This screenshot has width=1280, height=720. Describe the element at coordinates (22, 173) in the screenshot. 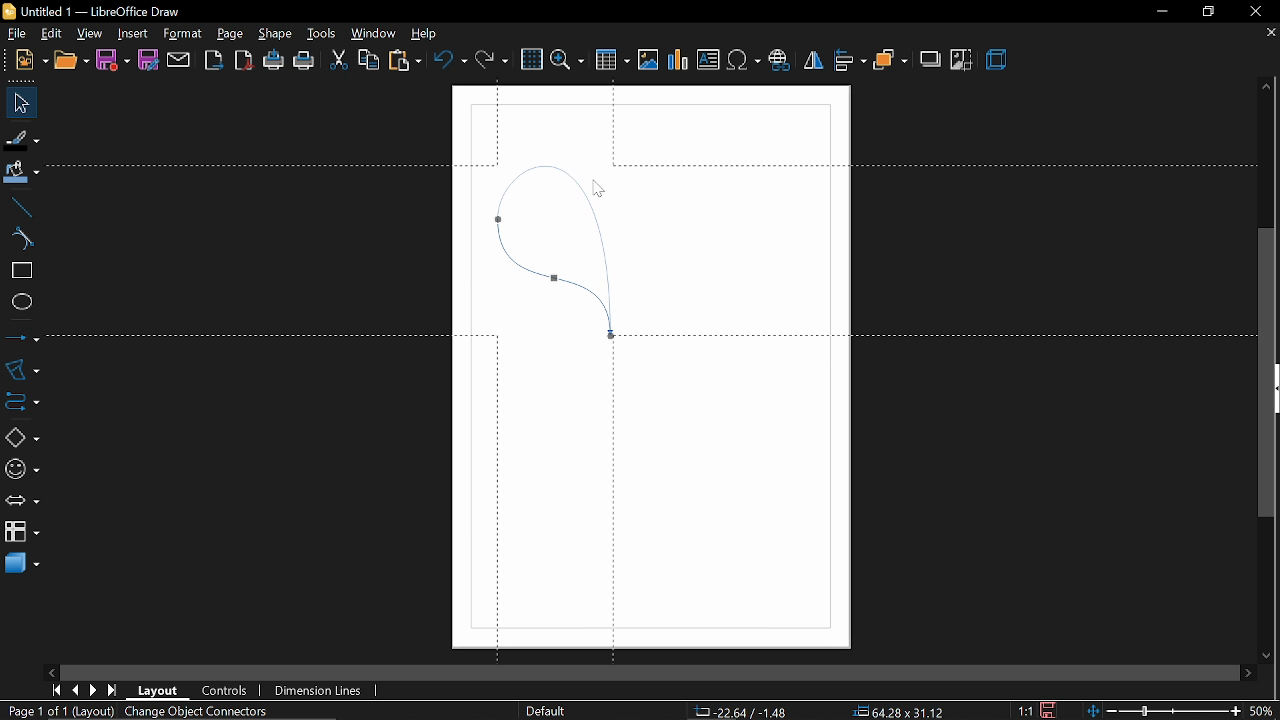

I see `fill color` at that location.